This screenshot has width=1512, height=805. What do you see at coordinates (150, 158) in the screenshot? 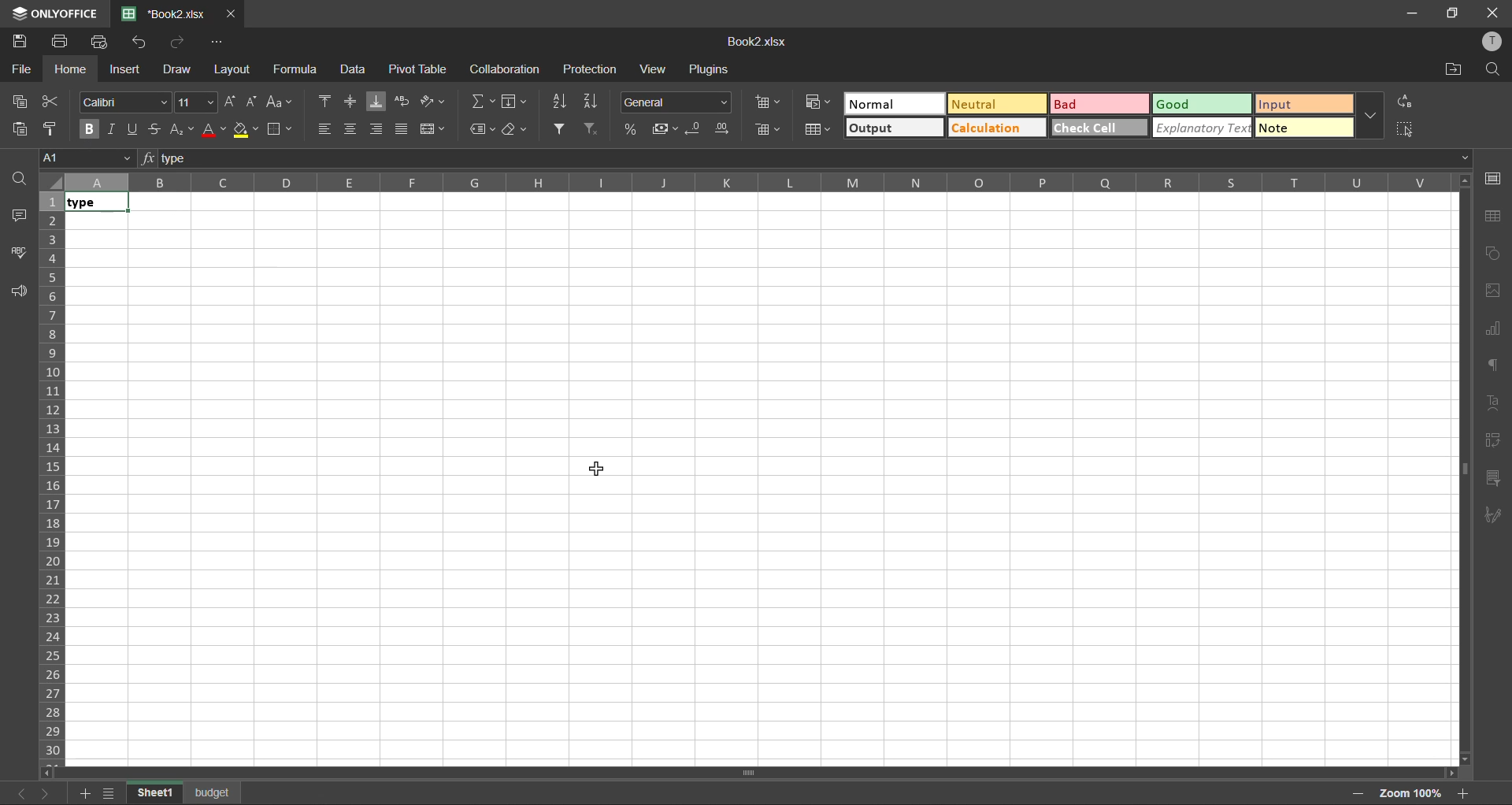
I see `fx` at bounding box center [150, 158].